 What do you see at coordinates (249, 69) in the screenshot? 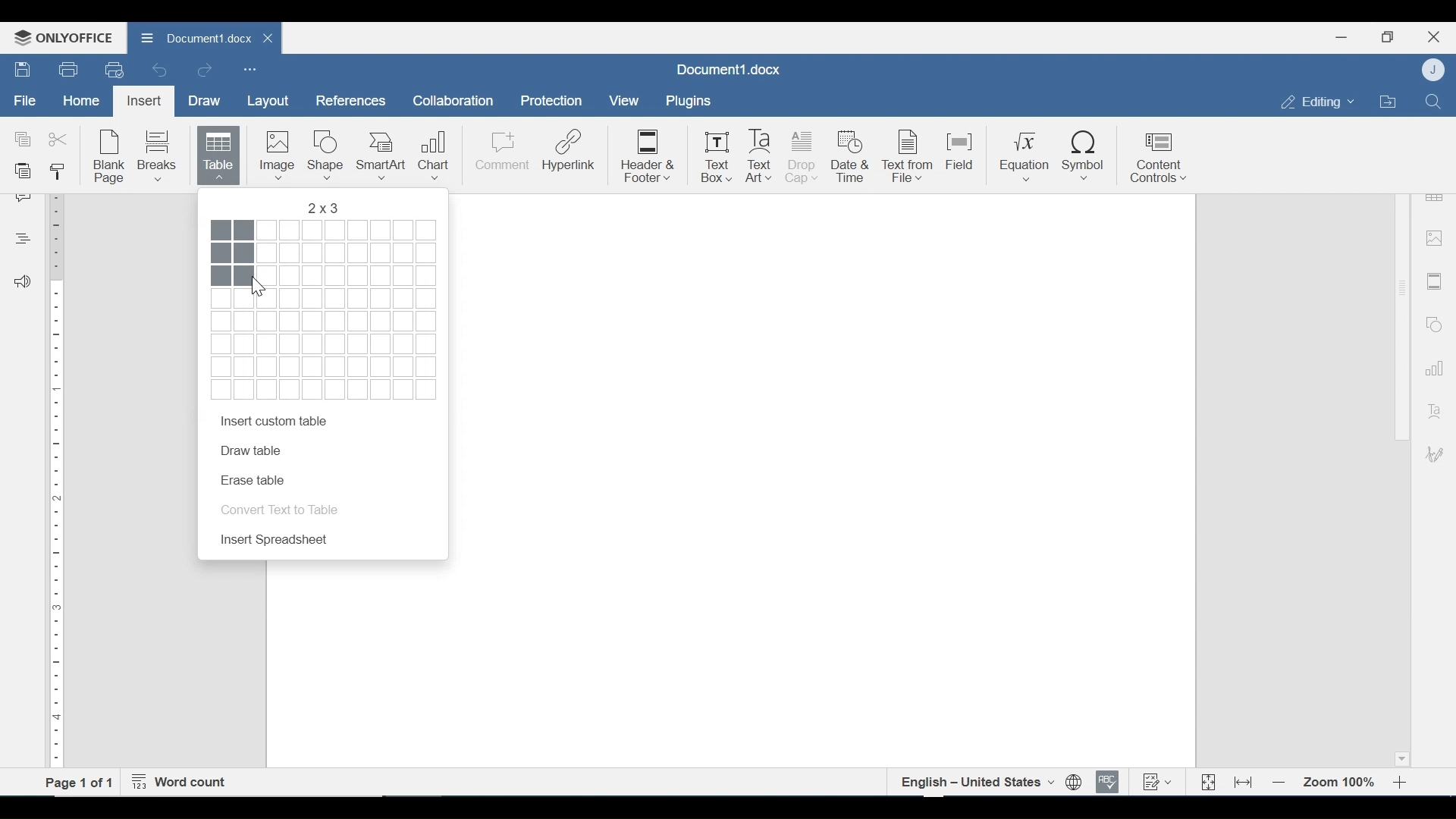
I see `Customize Quick Access Toolbar` at bounding box center [249, 69].